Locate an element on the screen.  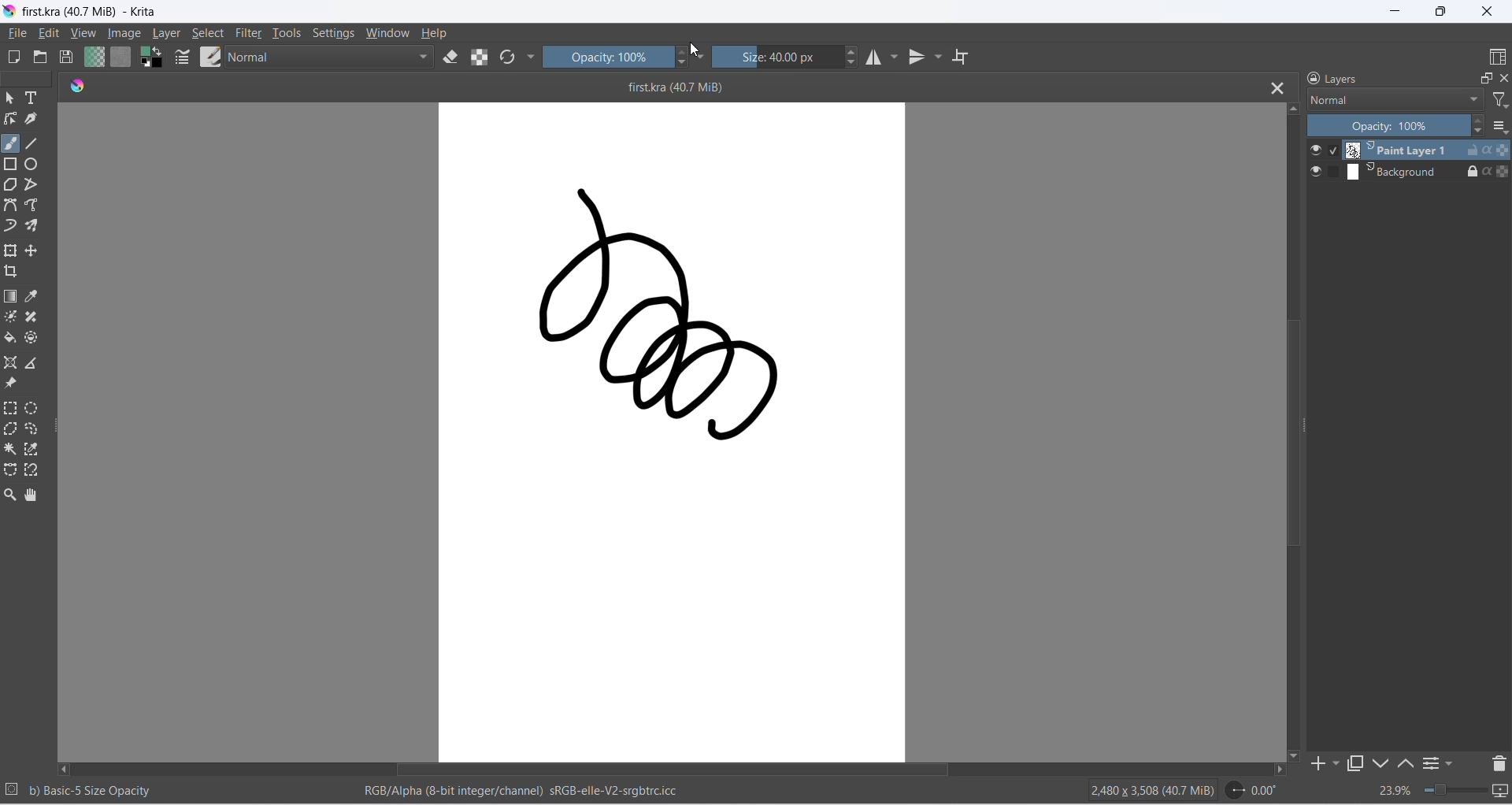
edit brush setting is located at coordinates (183, 57).